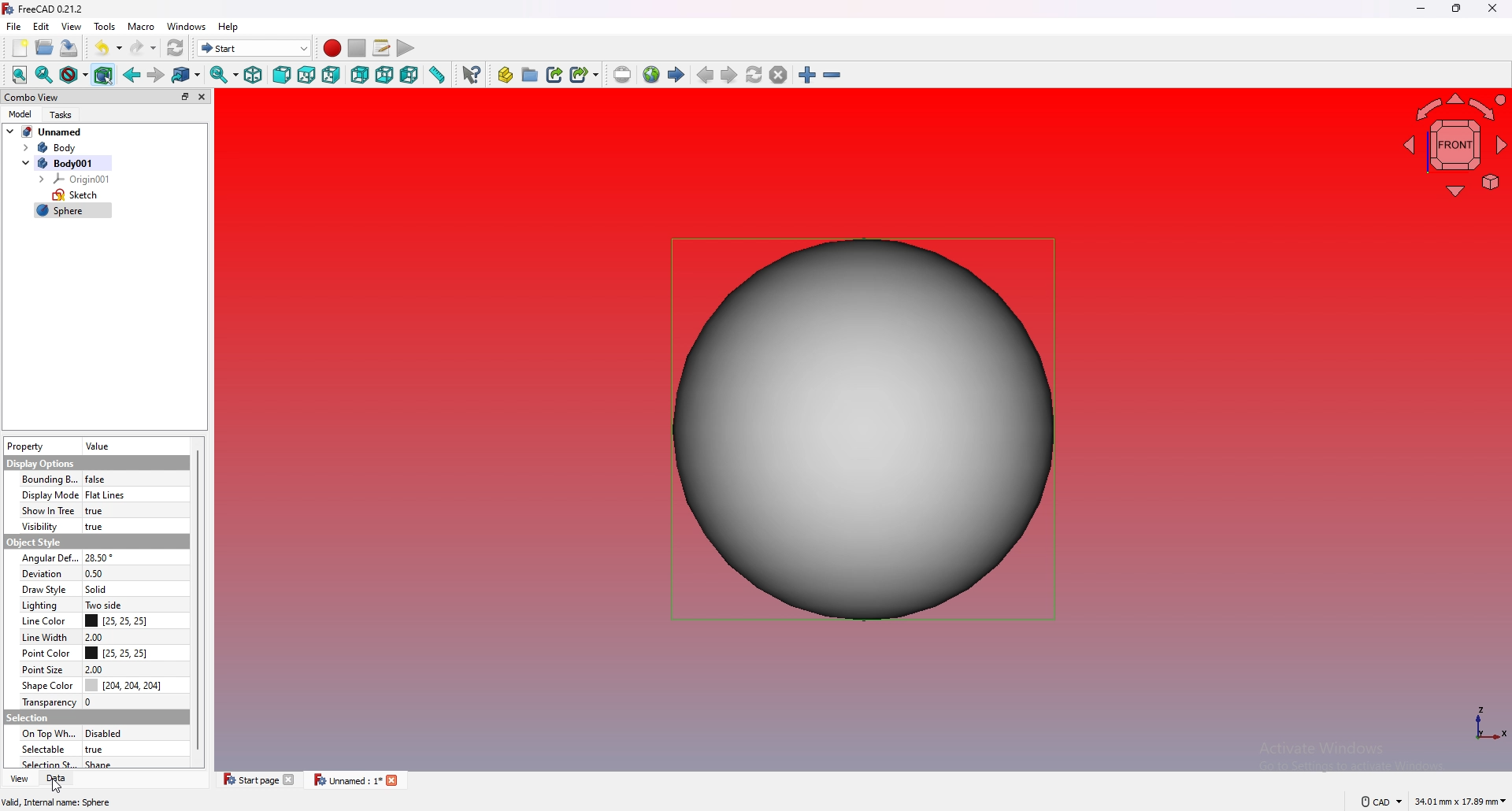 The image size is (1512, 811). Describe the element at coordinates (17, 779) in the screenshot. I see `view` at that location.